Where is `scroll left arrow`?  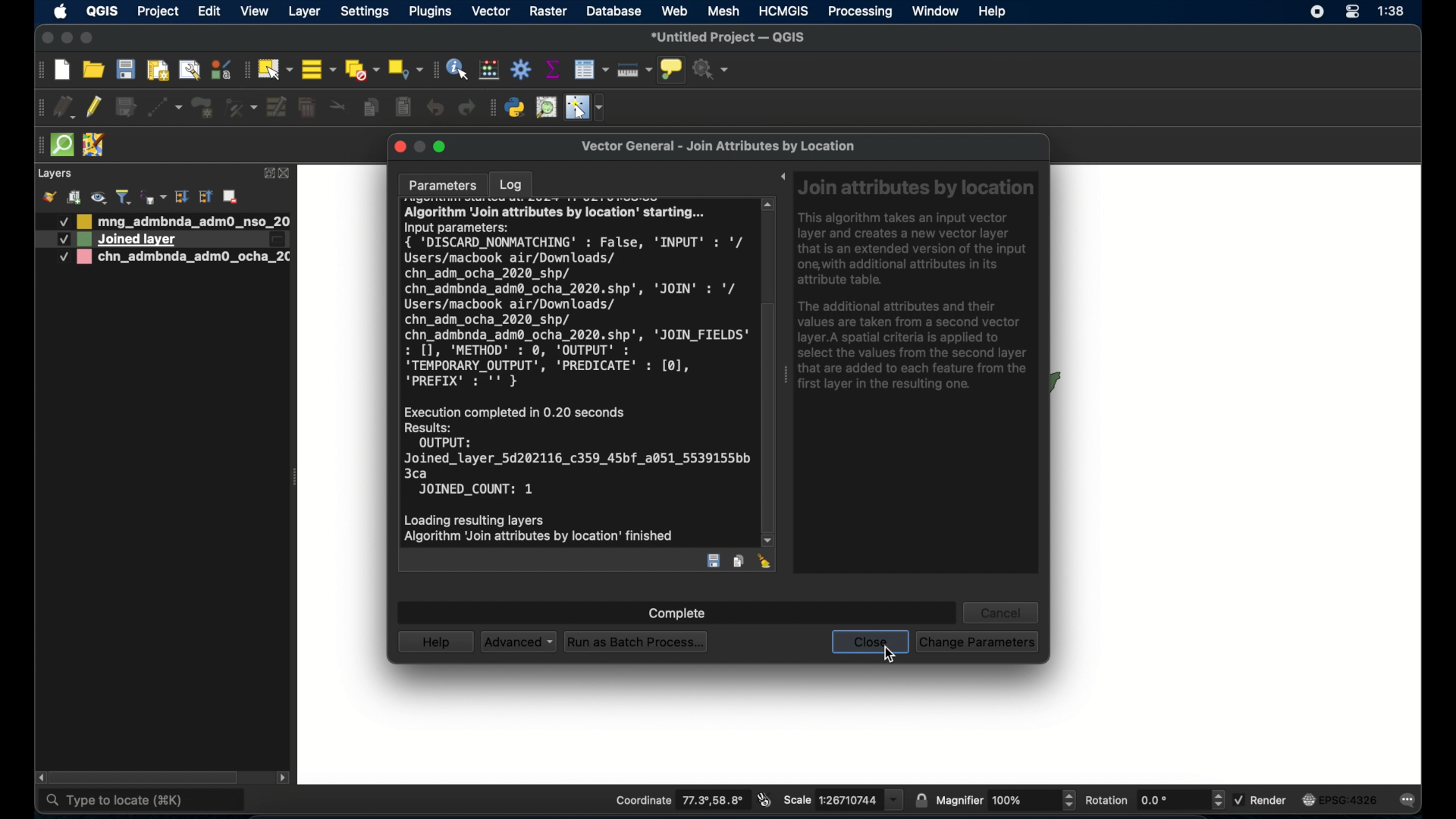 scroll left arrow is located at coordinates (40, 777).